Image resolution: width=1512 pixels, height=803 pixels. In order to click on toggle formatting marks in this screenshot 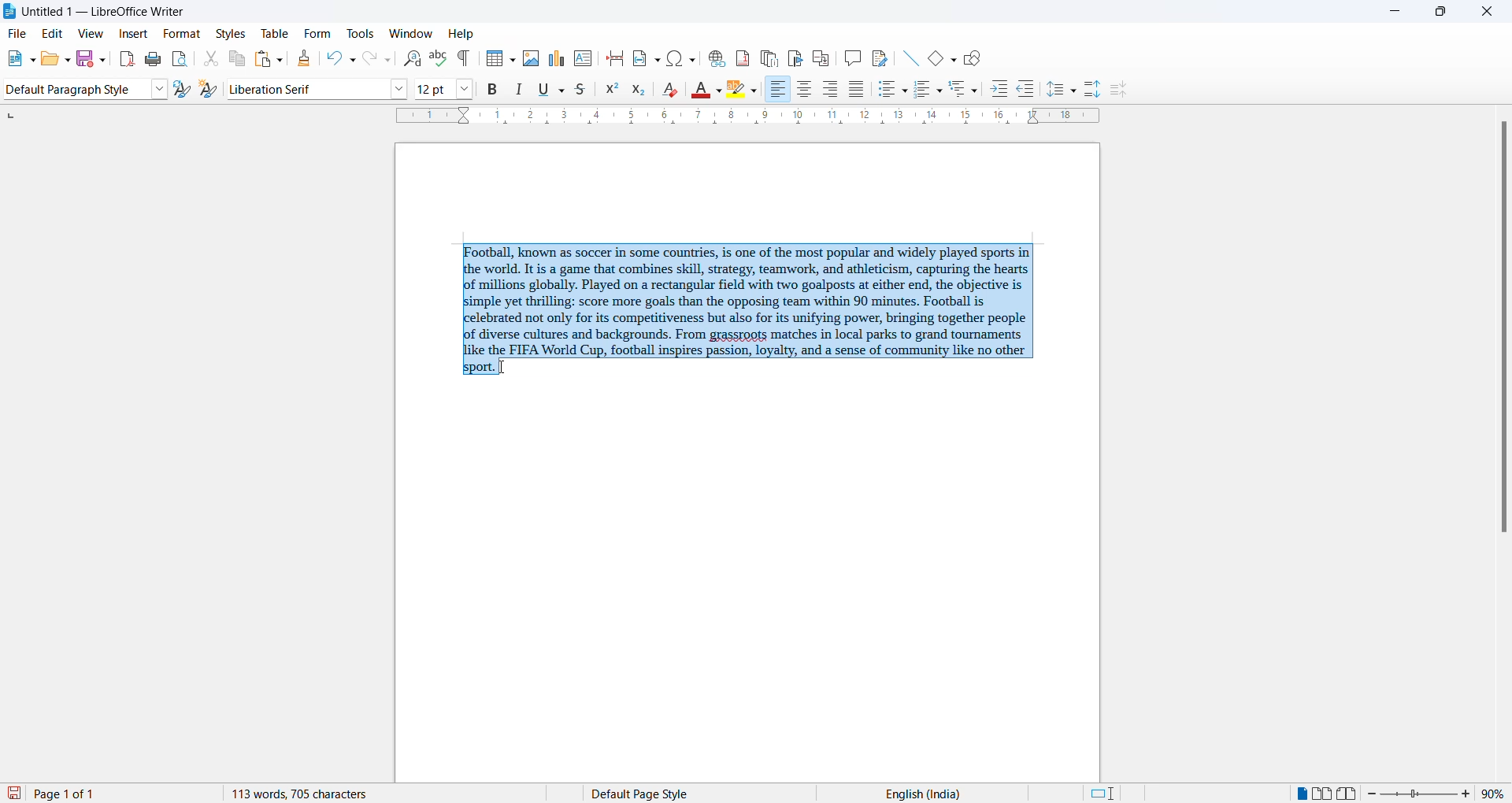, I will do `click(465, 60)`.